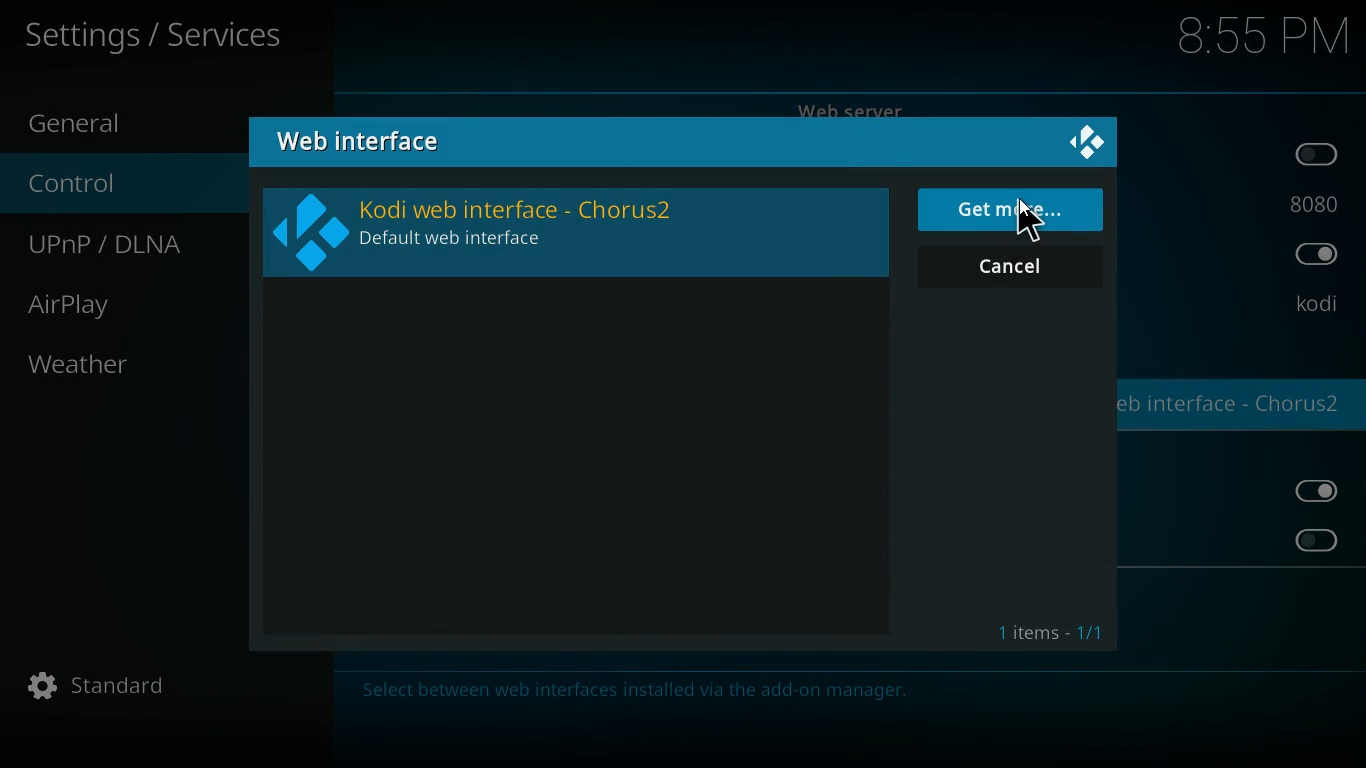 This screenshot has height=768, width=1366. I want to click on on, so click(1316, 257).